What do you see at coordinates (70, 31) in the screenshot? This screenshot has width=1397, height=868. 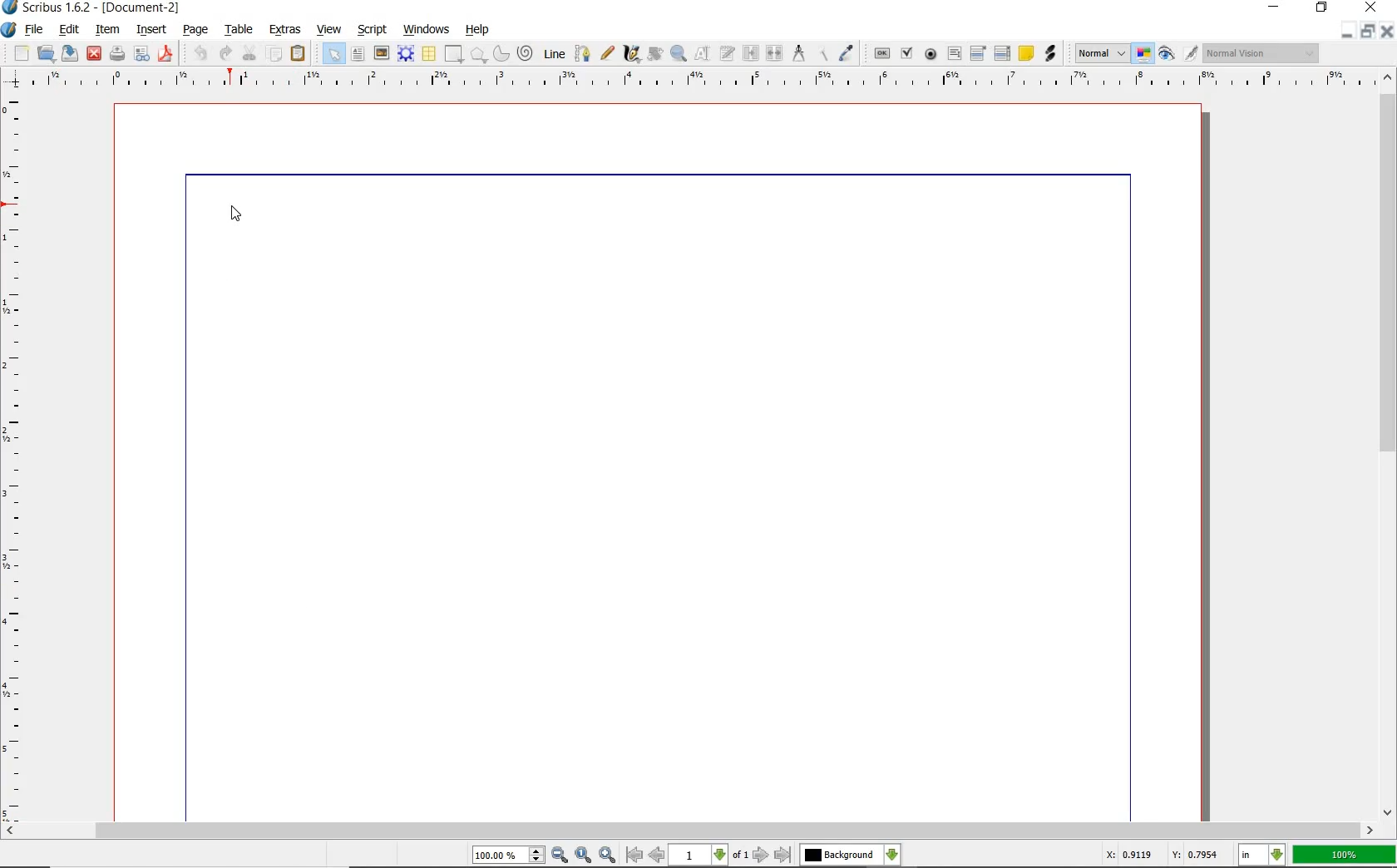 I see `edit` at bounding box center [70, 31].